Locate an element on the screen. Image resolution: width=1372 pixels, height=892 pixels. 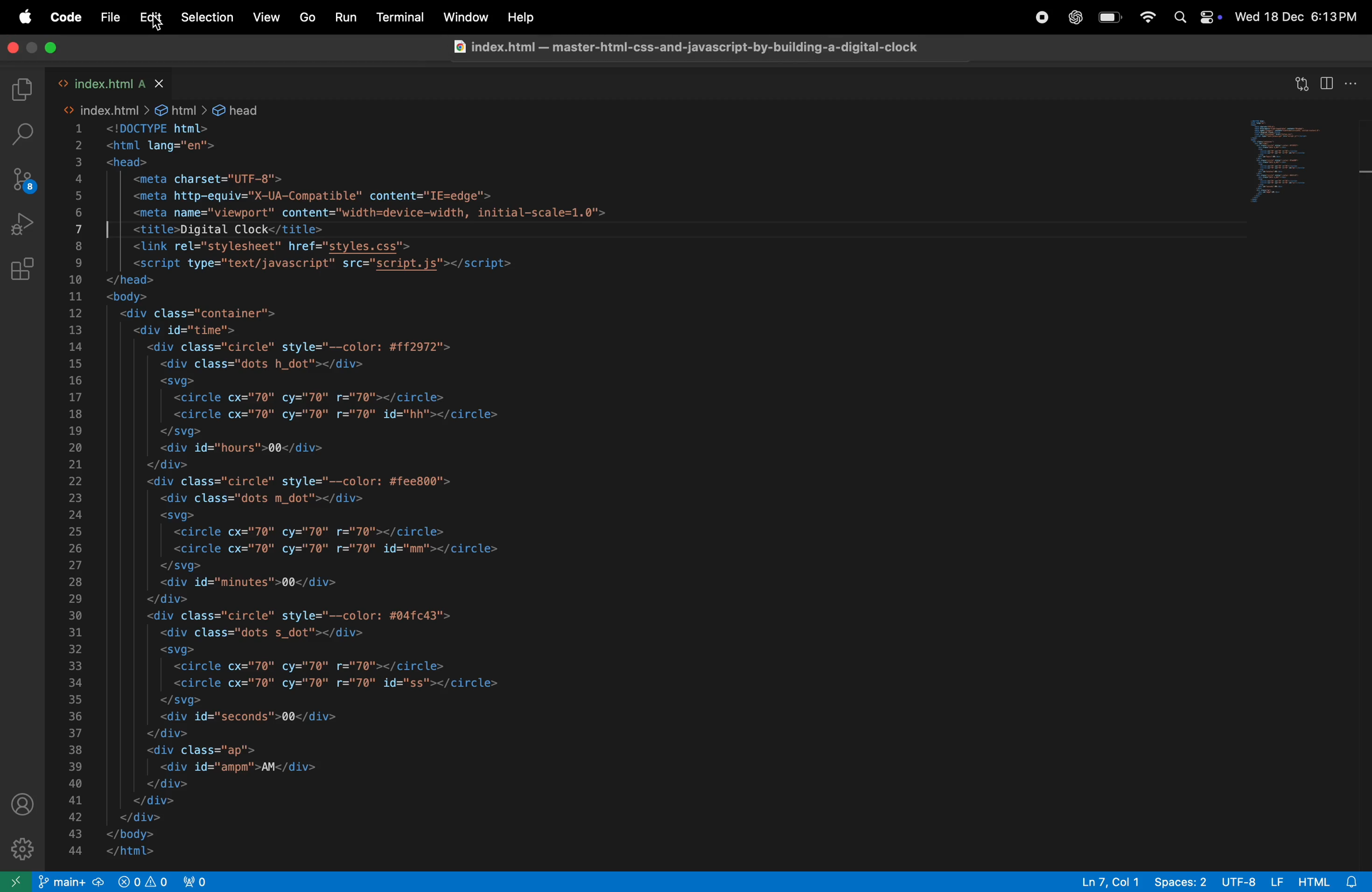
run is located at coordinates (345, 17).